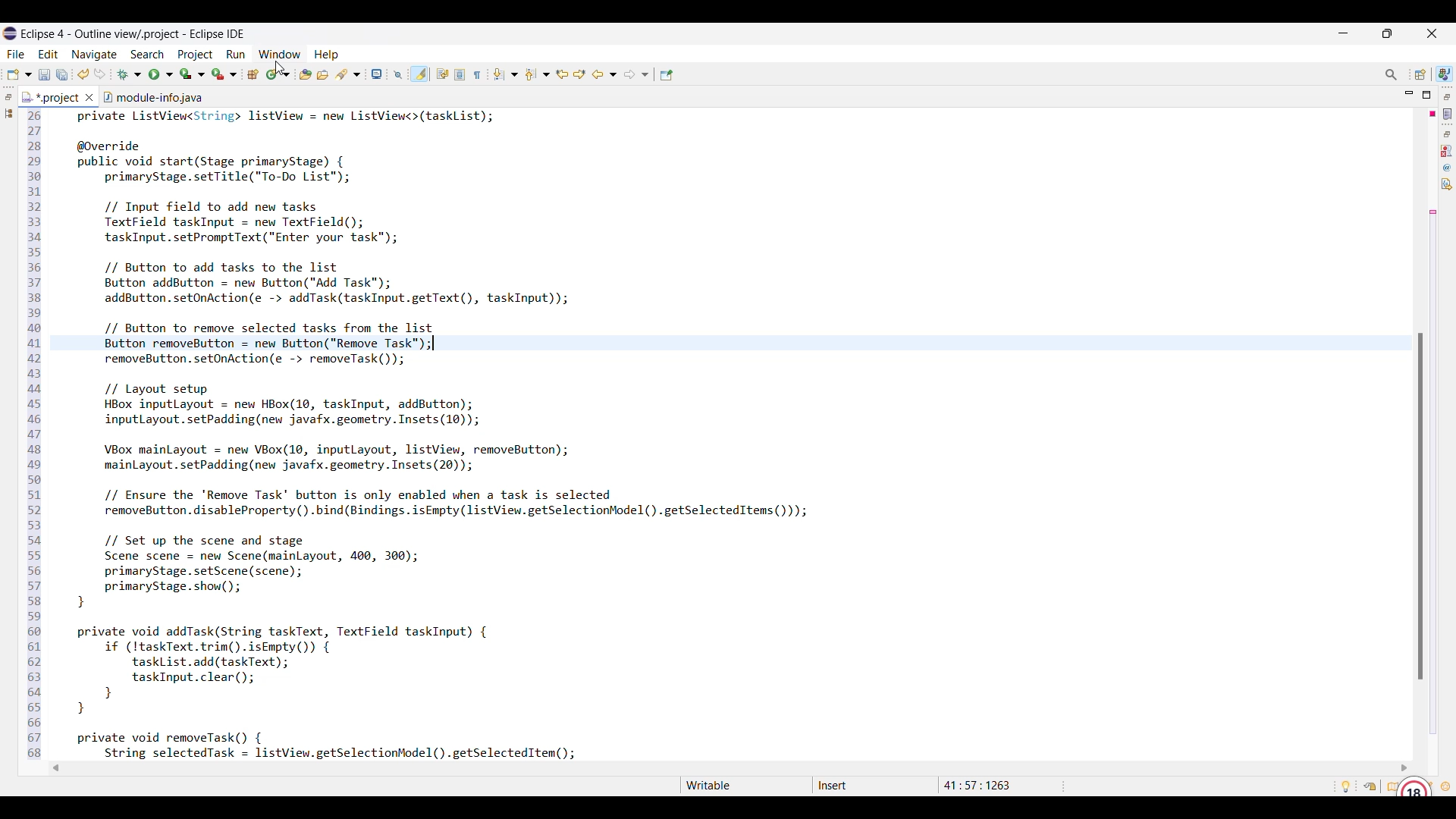 Image resolution: width=1456 pixels, height=819 pixels. I want to click on Pin editor, so click(667, 75).